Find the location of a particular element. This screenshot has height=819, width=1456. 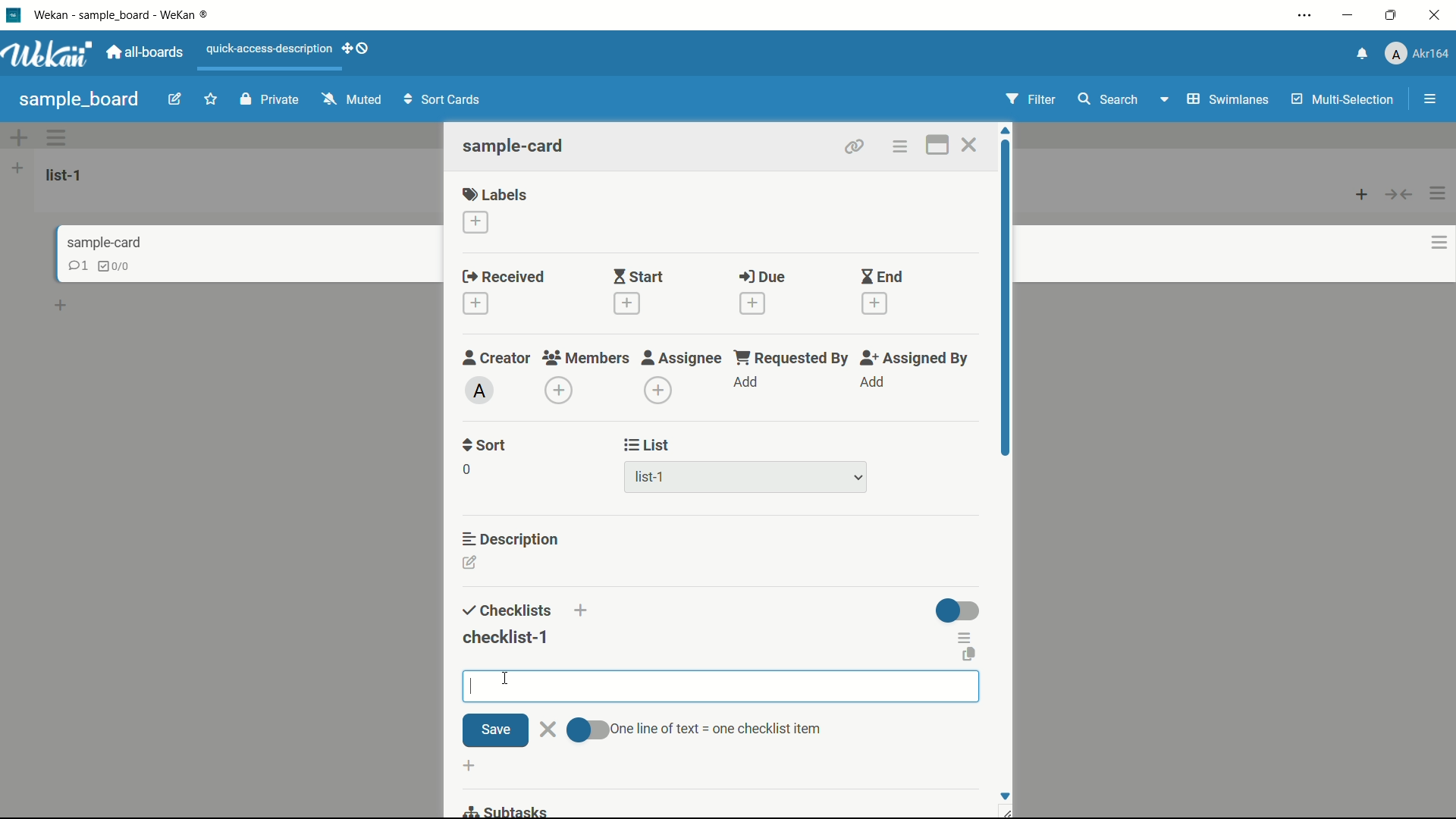

card actions is located at coordinates (899, 147).